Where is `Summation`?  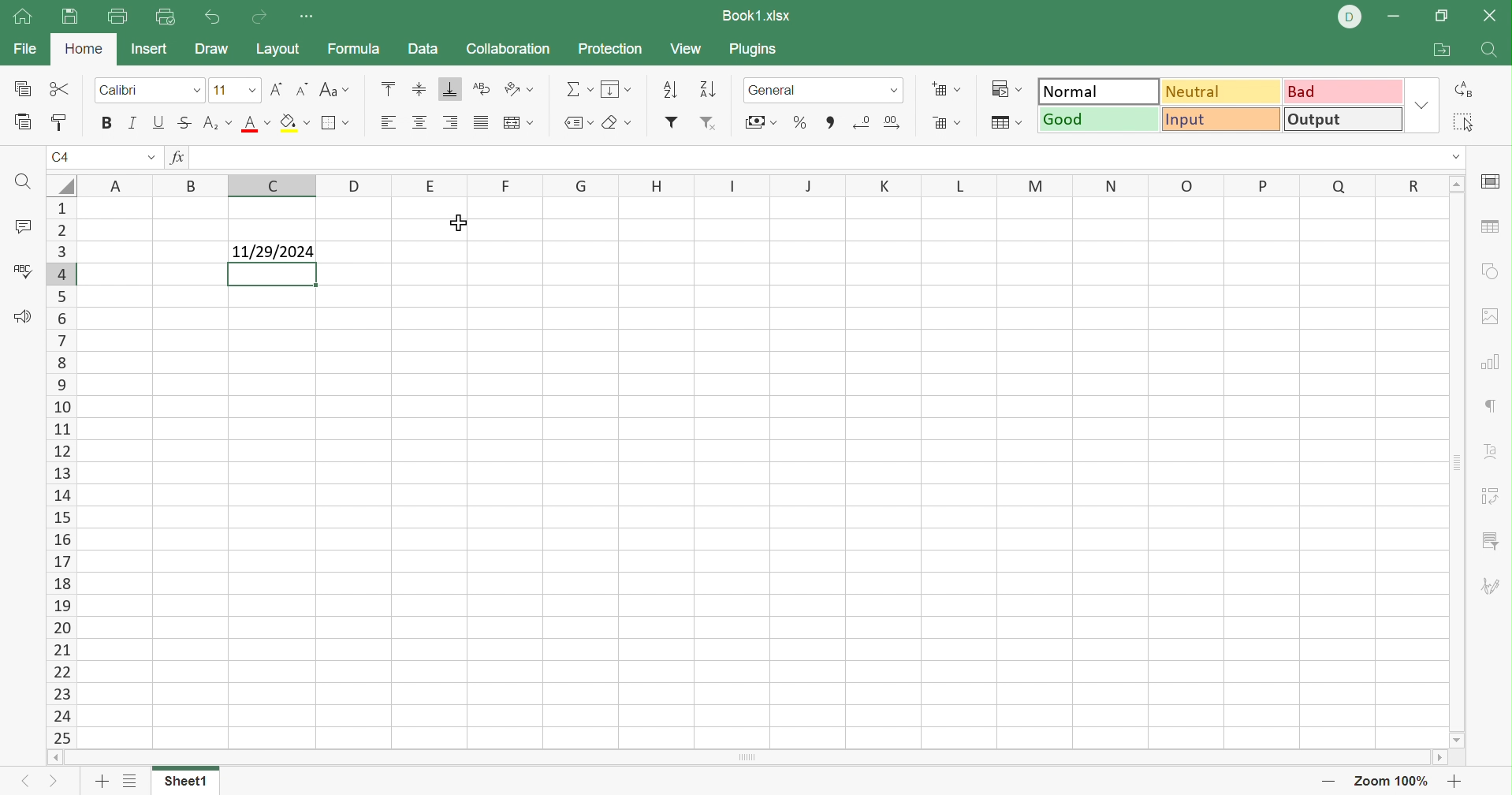
Summation is located at coordinates (582, 88).